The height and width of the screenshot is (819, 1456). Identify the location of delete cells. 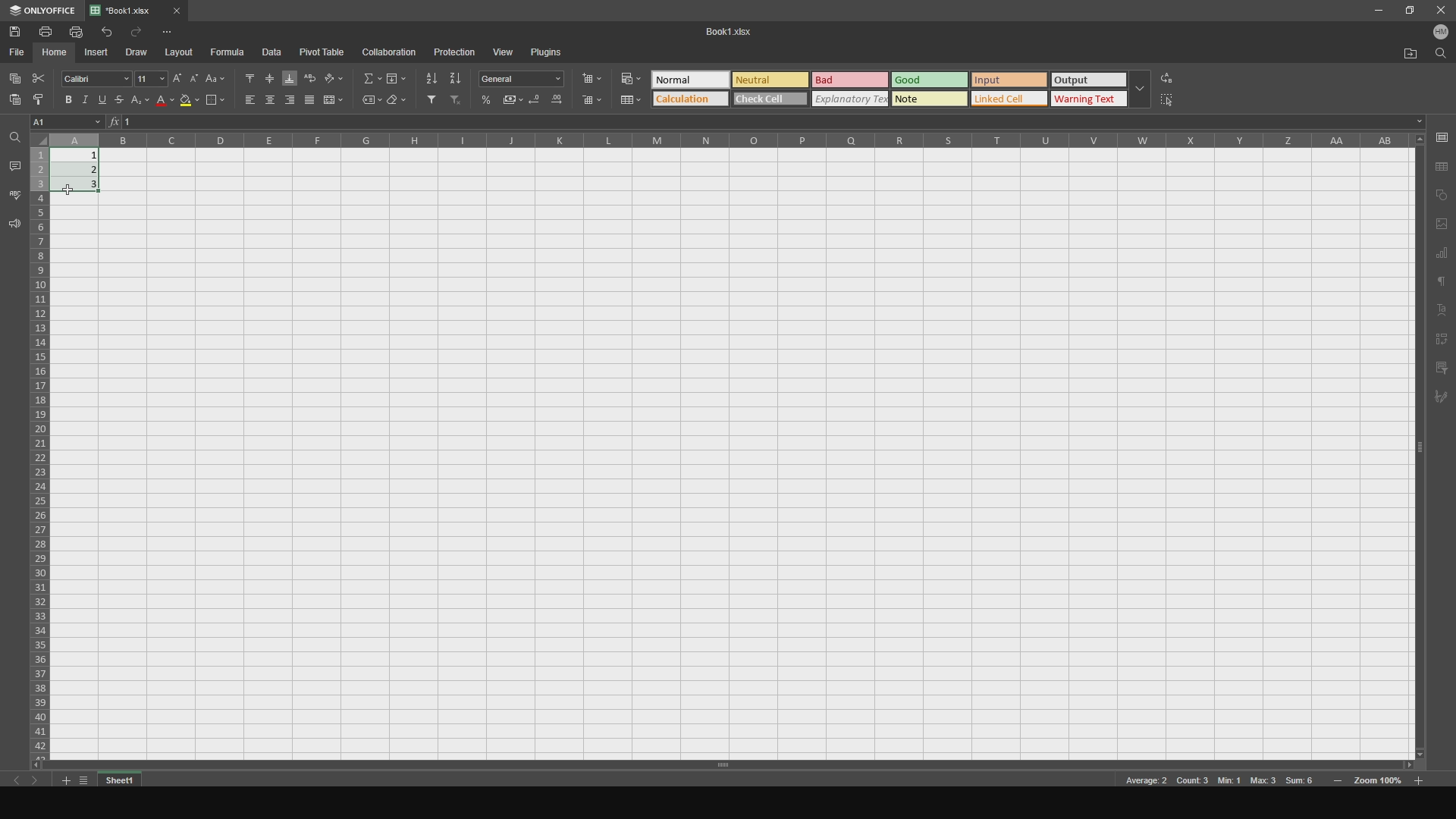
(592, 101).